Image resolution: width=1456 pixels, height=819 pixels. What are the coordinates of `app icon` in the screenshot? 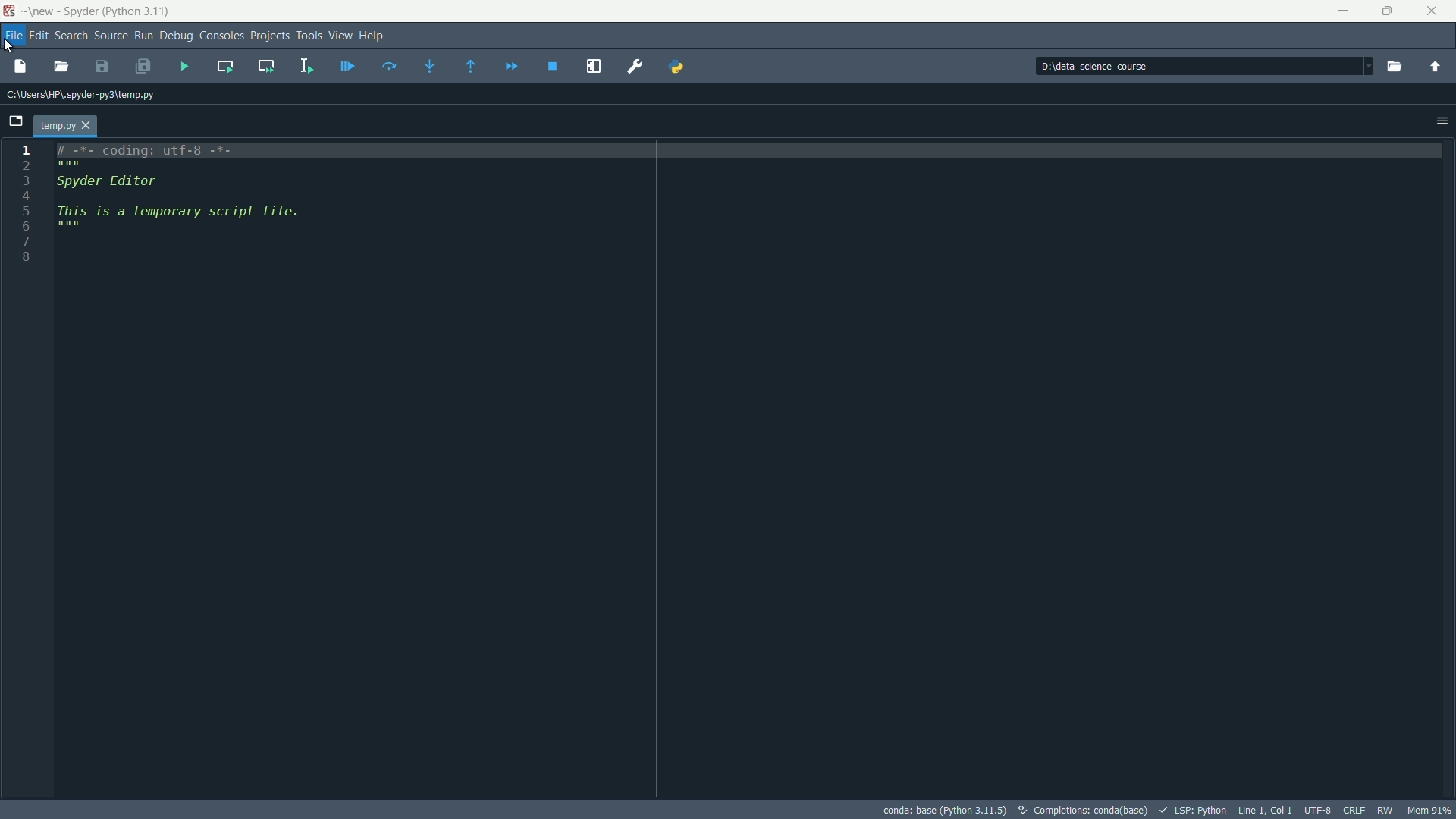 It's located at (9, 11).